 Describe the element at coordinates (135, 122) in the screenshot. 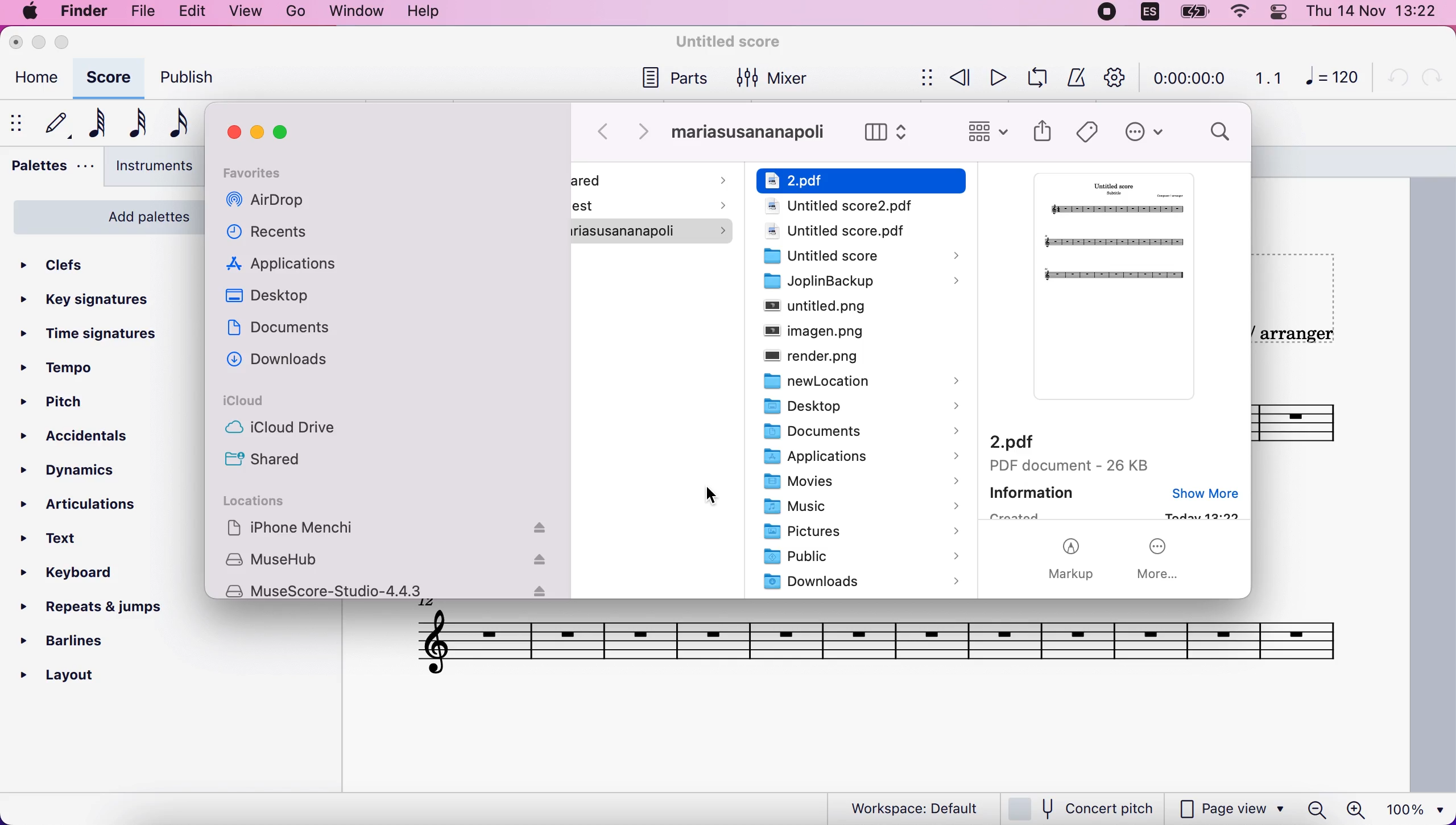

I see `32nd note` at that location.